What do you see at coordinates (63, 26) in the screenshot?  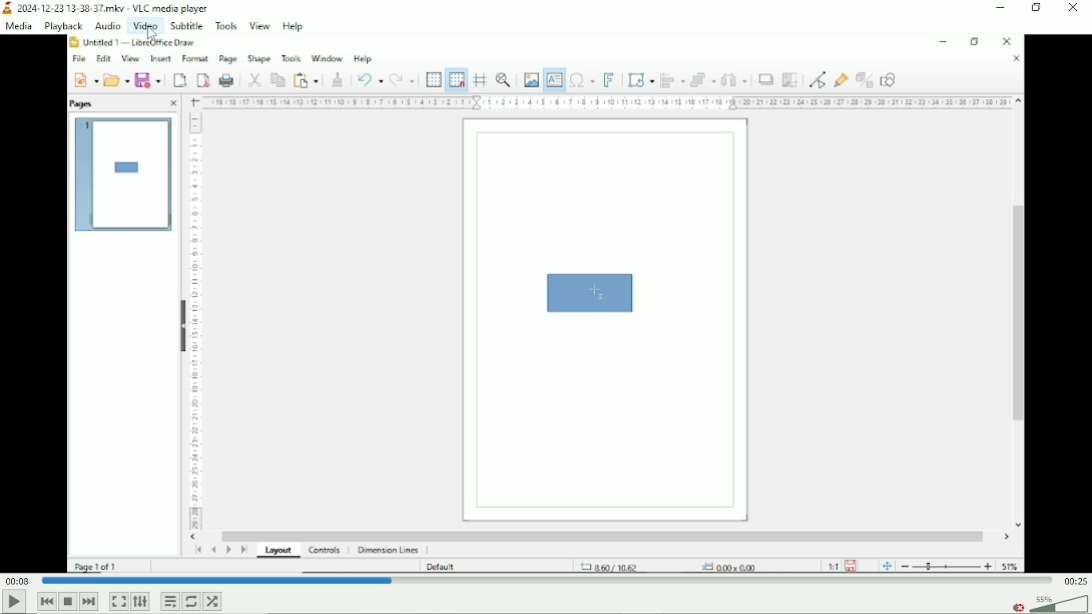 I see `Playback` at bounding box center [63, 26].